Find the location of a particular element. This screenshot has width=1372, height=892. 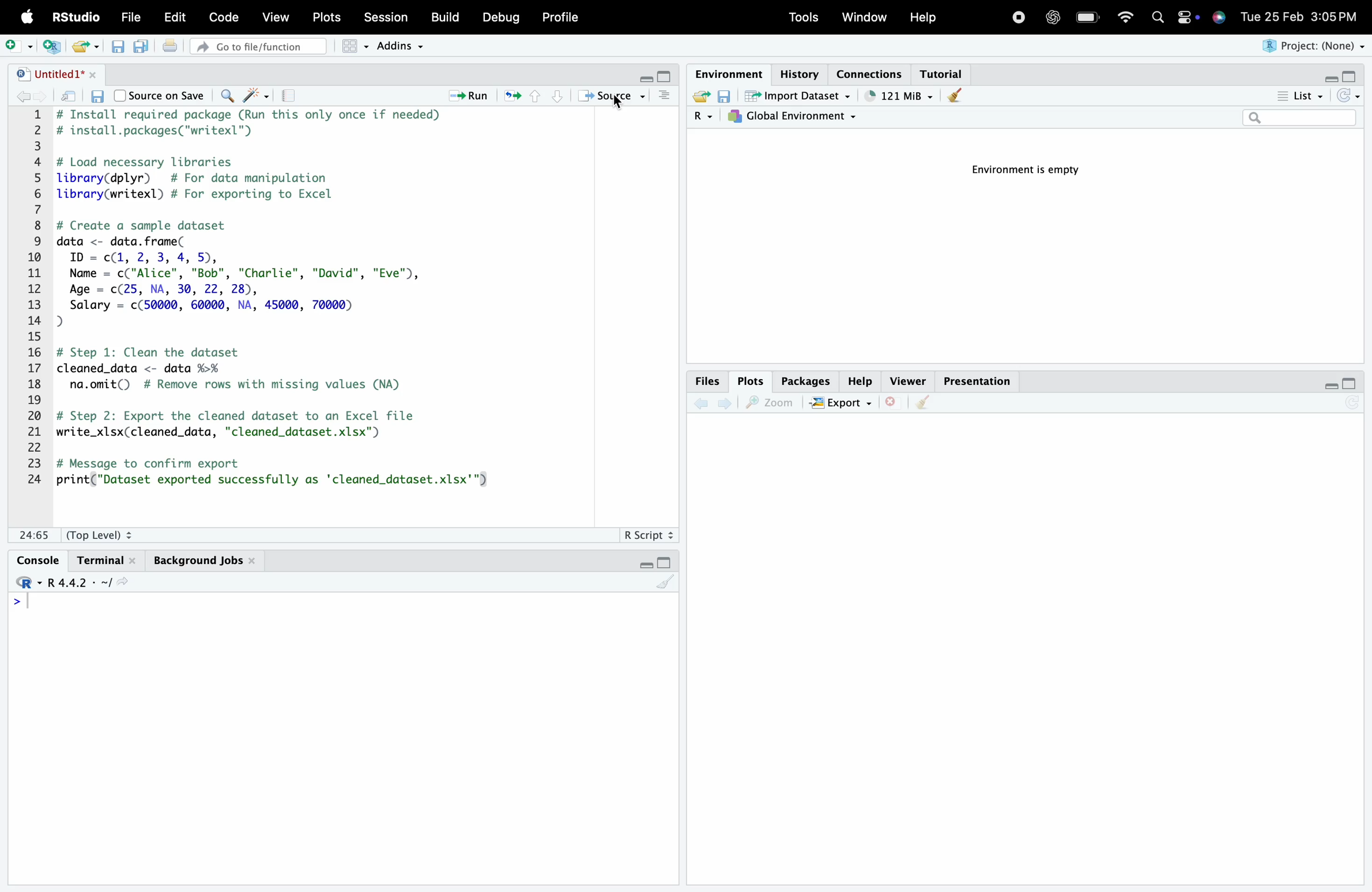

Compile Report (Ctrl + Shift + K) is located at coordinates (288, 95).